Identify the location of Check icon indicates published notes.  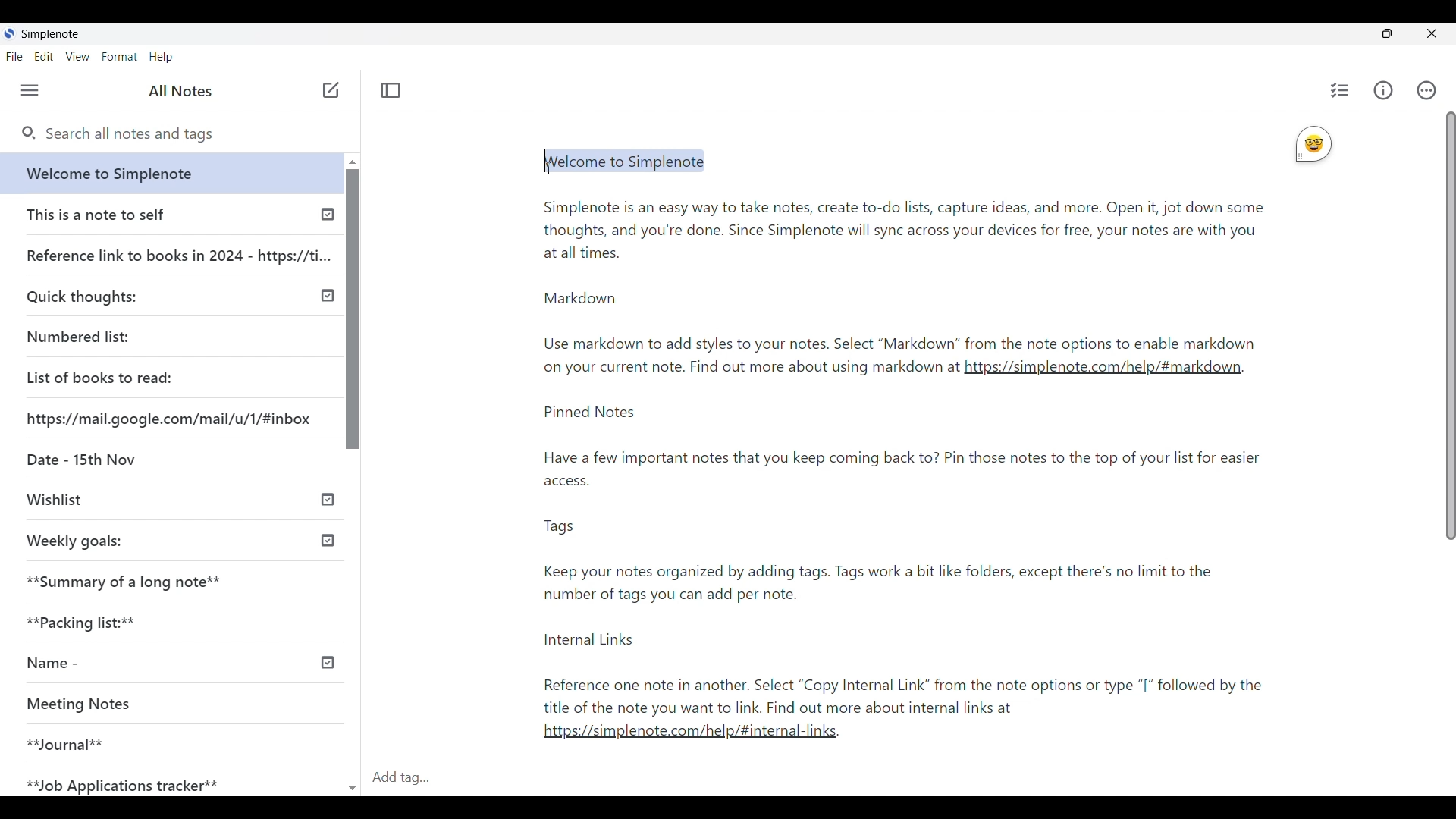
(328, 218).